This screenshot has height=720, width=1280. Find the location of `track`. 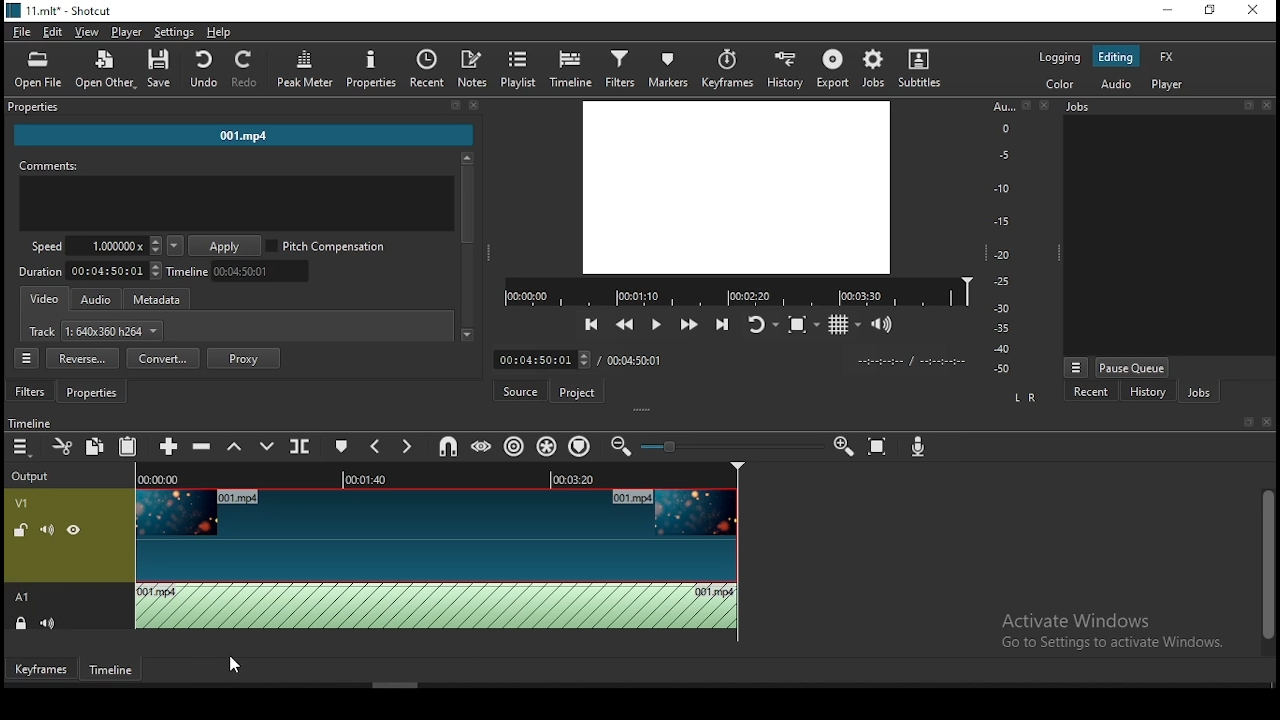

track is located at coordinates (95, 331).